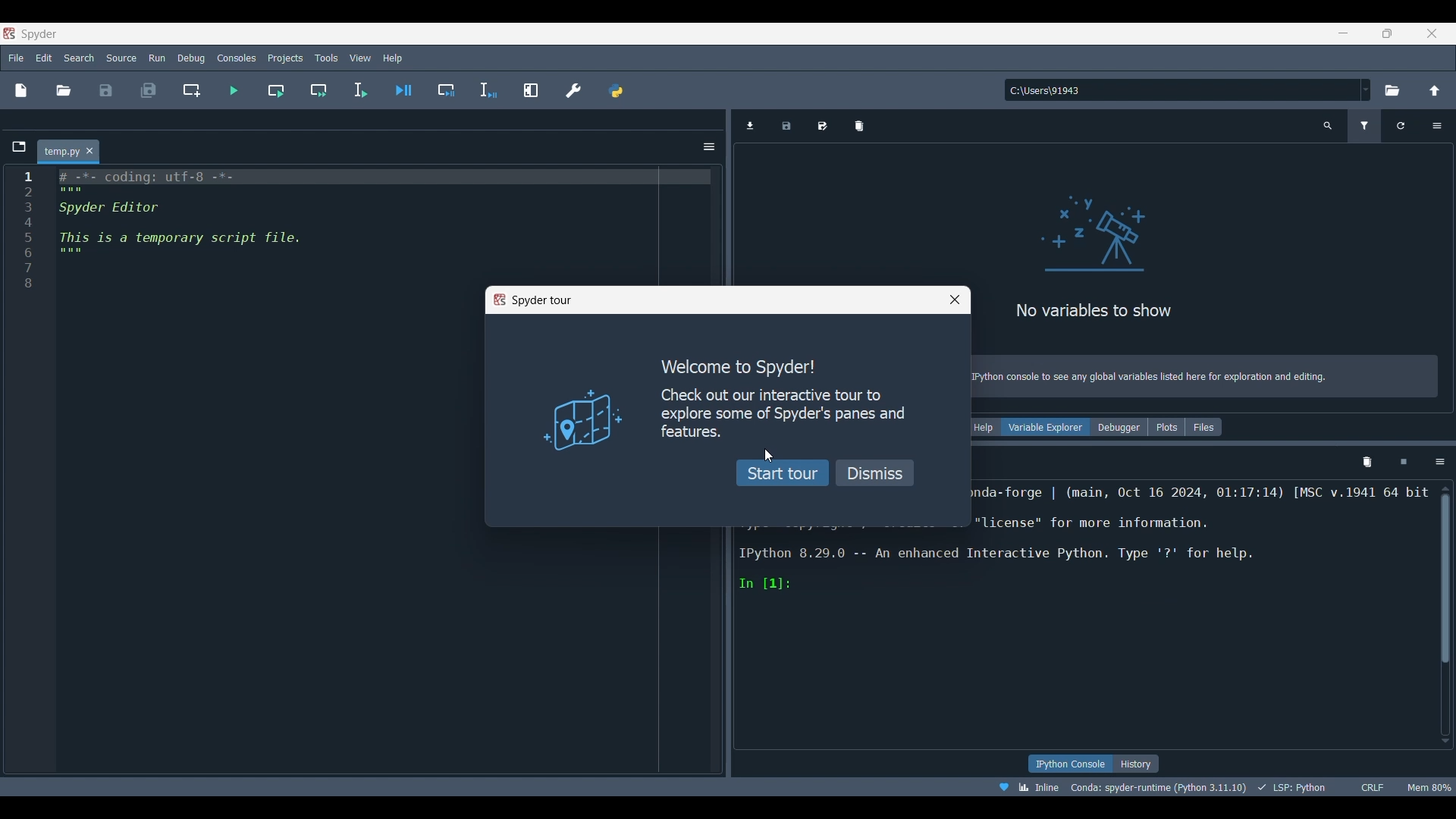  I want to click on Change to parent directory, so click(1435, 90).